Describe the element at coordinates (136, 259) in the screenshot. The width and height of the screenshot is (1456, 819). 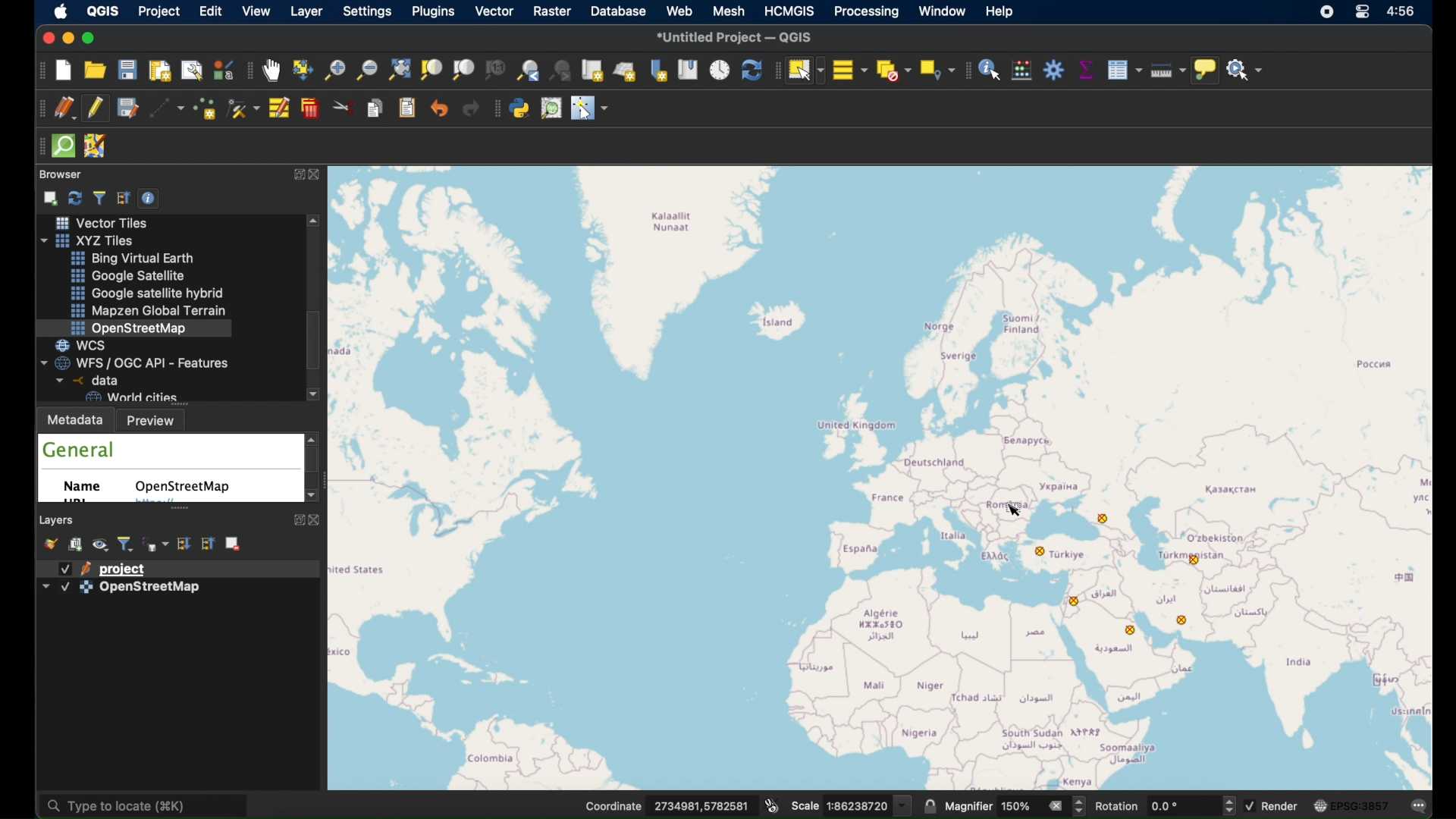
I see `bing virtual earth` at that location.